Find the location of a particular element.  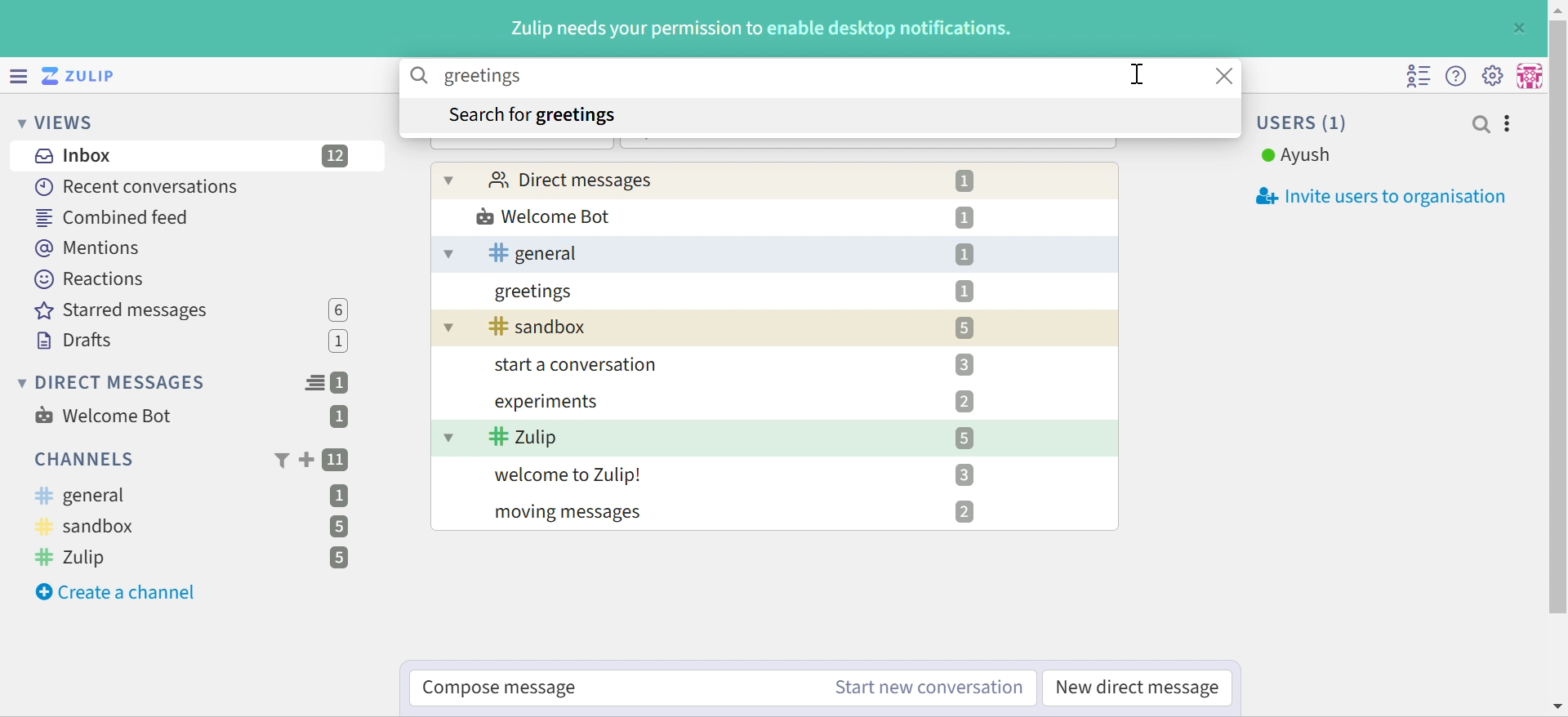

5 is located at coordinates (337, 527).